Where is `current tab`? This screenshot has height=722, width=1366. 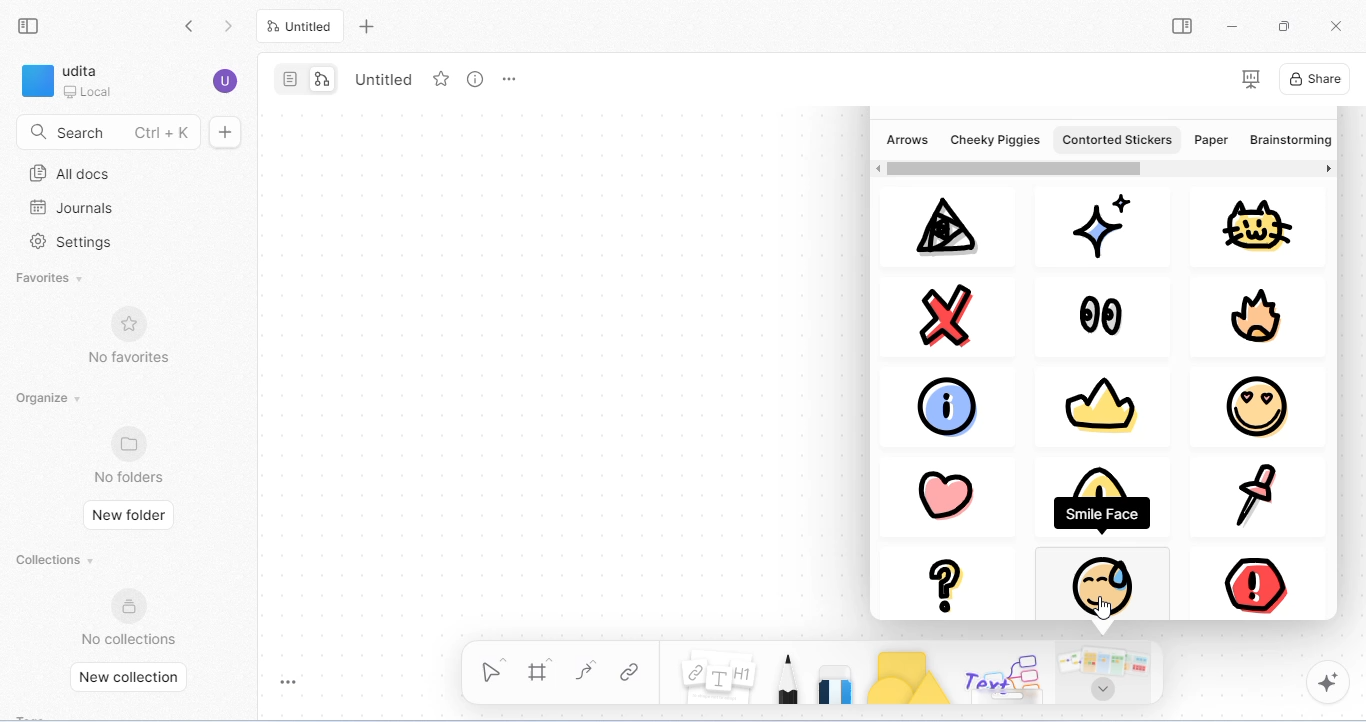
current tab is located at coordinates (300, 26).